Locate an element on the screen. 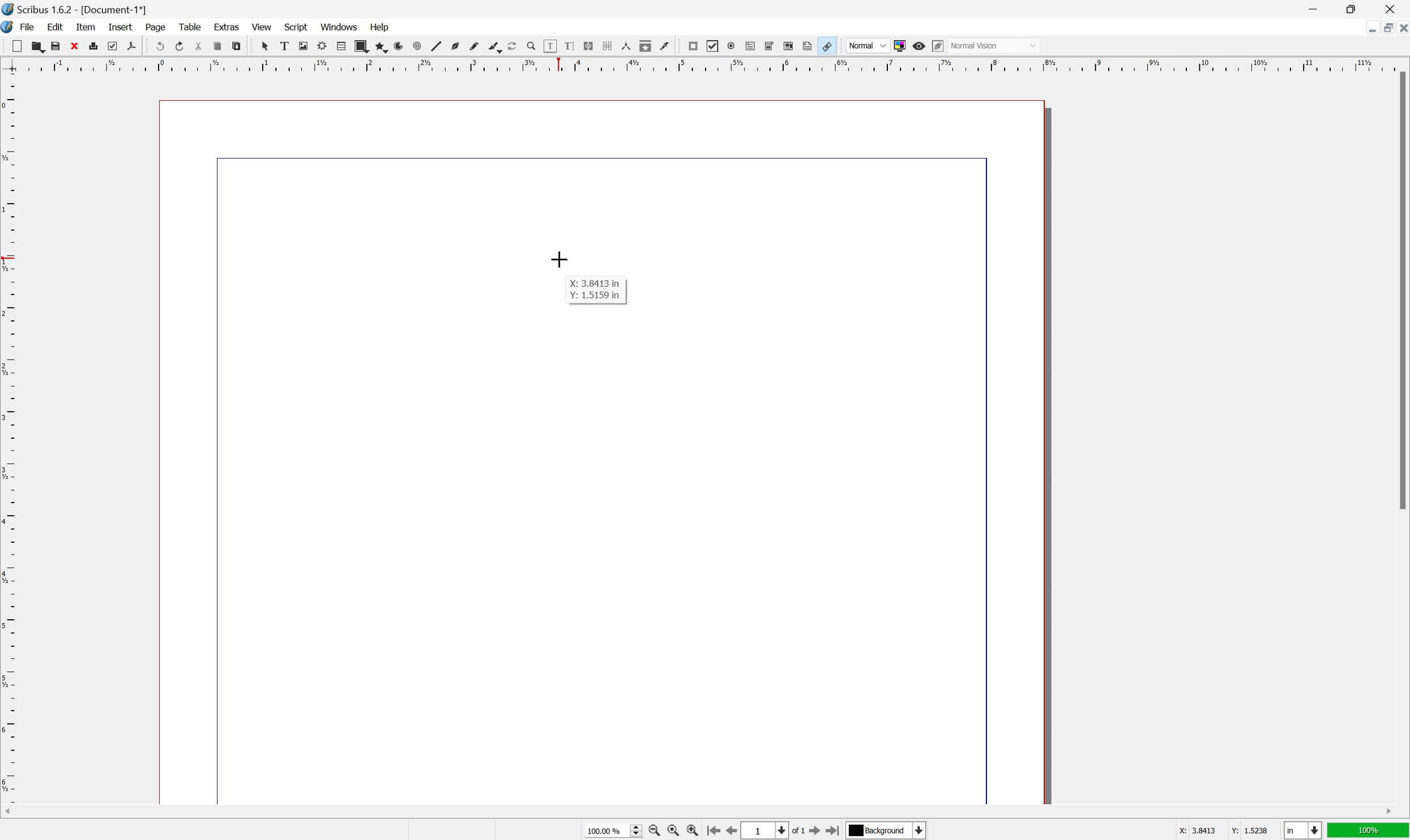 Image resolution: width=1410 pixels, height=840 pixels. minimize is located at coordinates (1312, 8).